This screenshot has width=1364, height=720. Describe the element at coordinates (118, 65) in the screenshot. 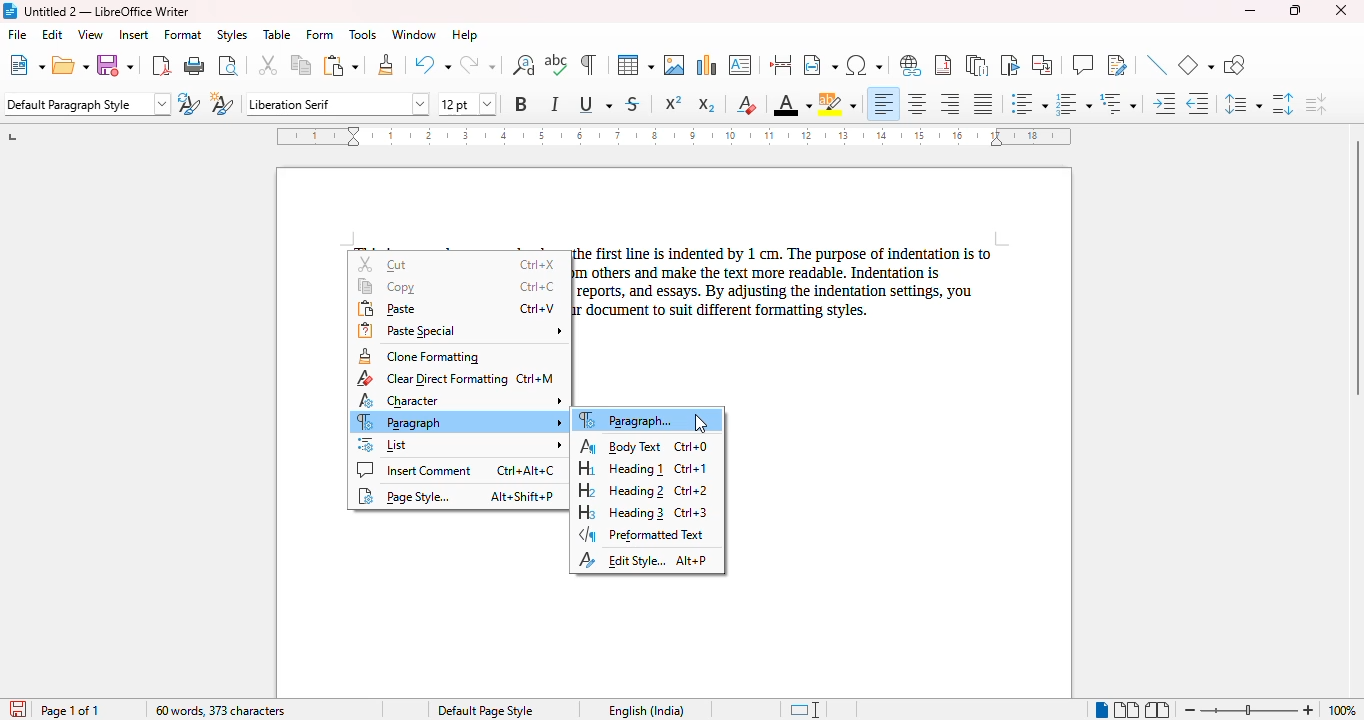

I see `save` at that location.